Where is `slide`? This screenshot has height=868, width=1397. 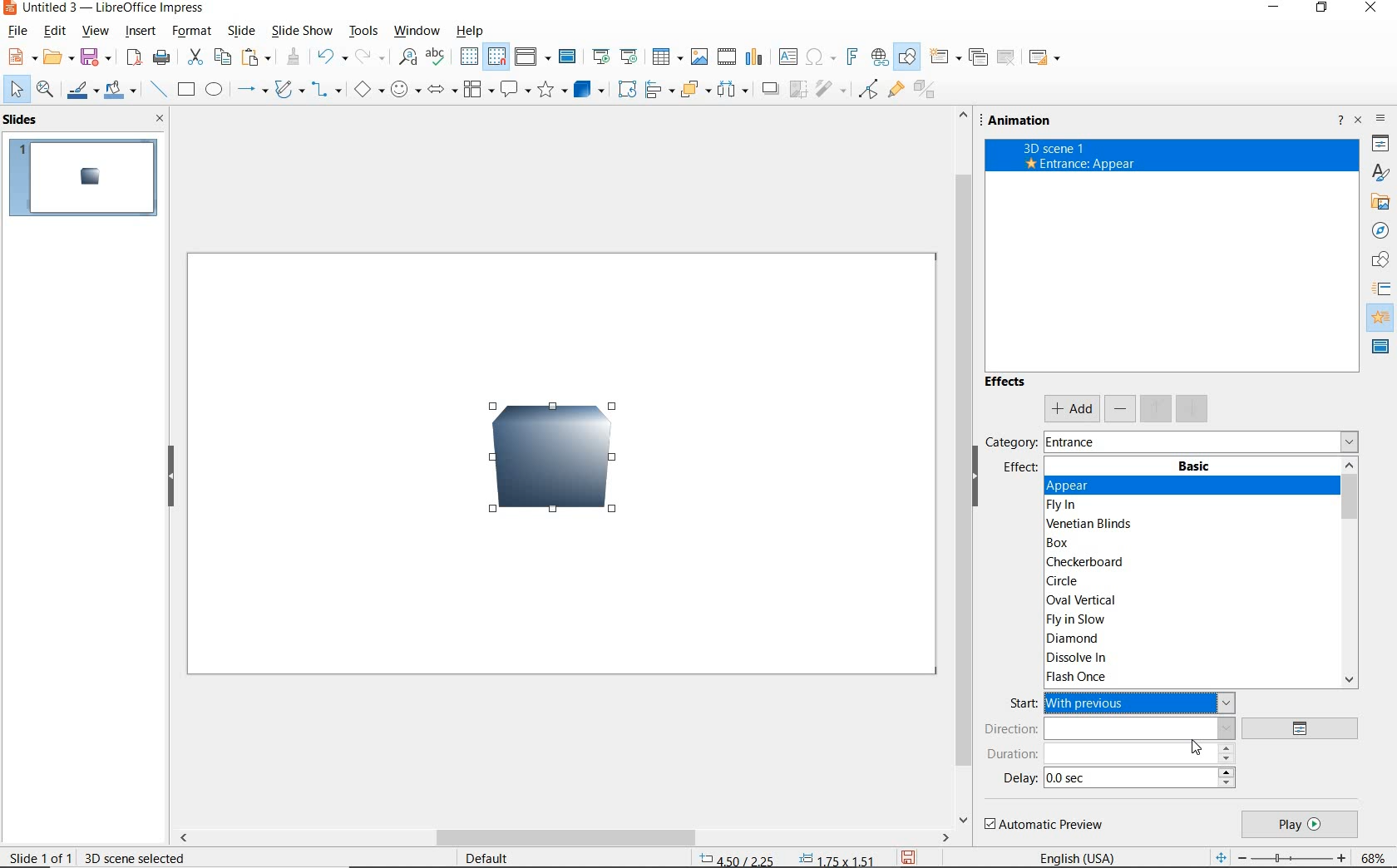
slide is located at coordinates (240, 31).